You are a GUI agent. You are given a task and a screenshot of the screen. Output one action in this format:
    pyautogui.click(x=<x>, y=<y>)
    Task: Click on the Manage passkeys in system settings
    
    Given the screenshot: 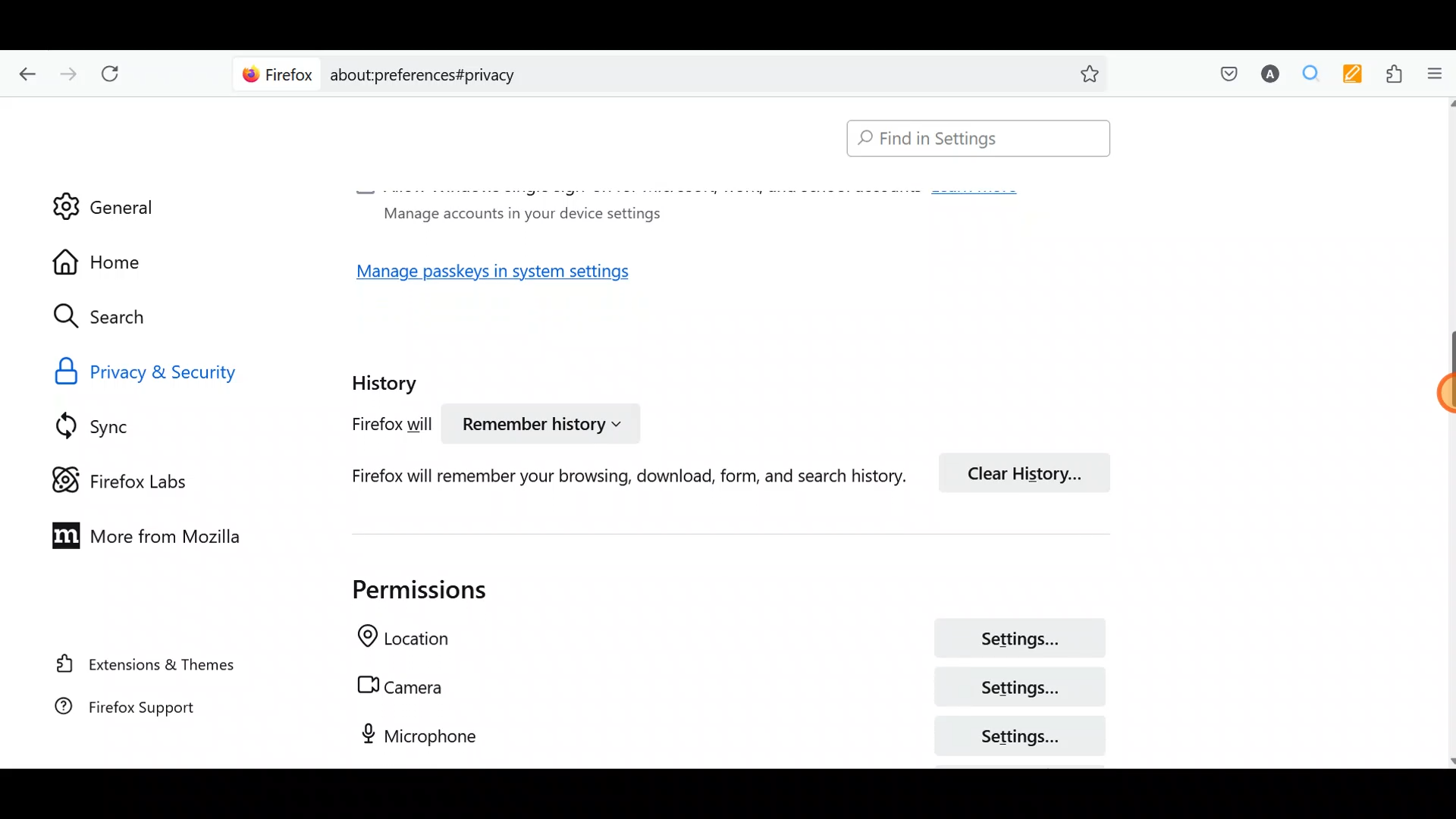 What is the action you would take?
    pyautogui.click(x=510, y=276)
    